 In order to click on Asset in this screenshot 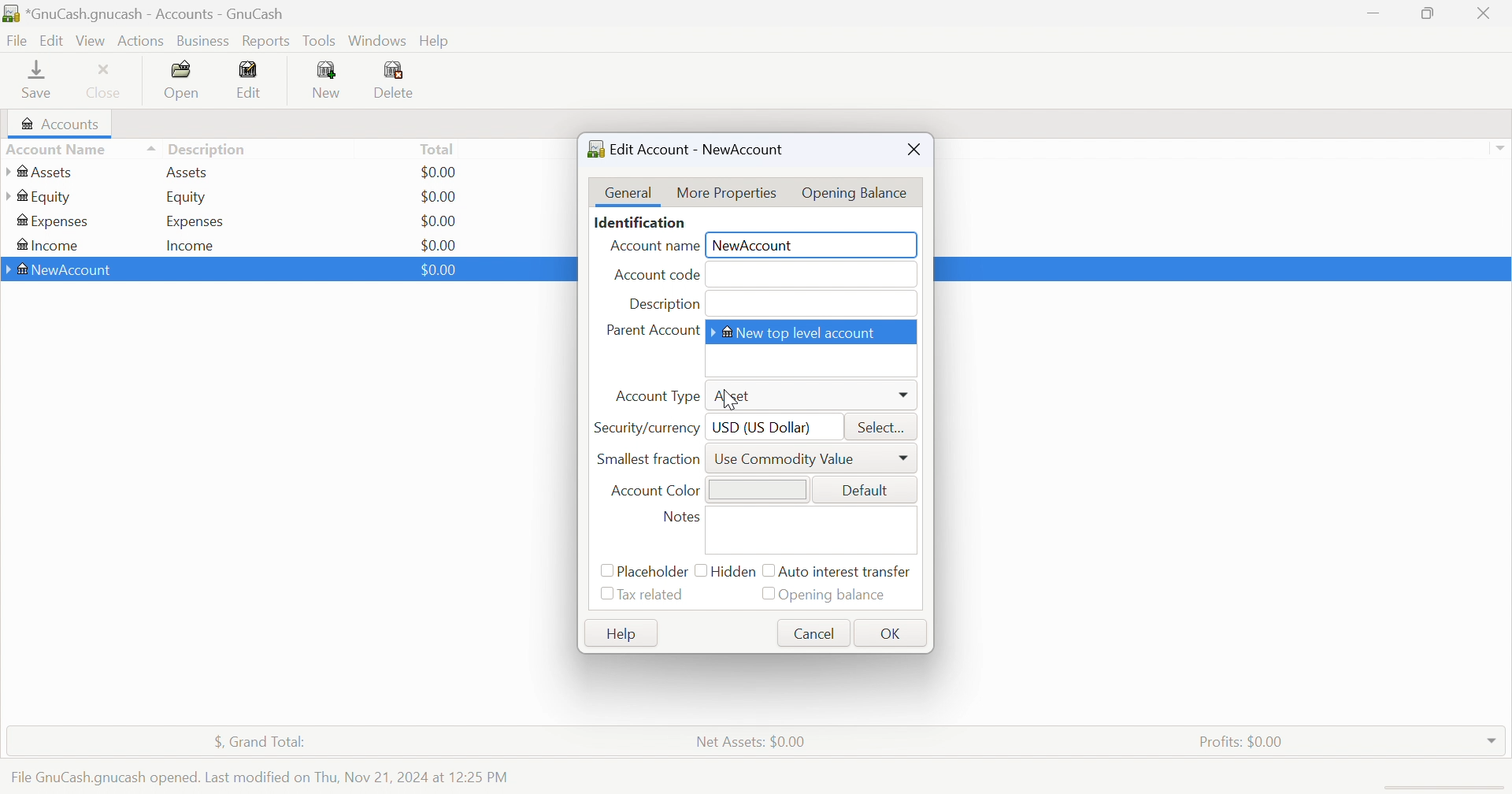, I will do `click(741, 395)`.